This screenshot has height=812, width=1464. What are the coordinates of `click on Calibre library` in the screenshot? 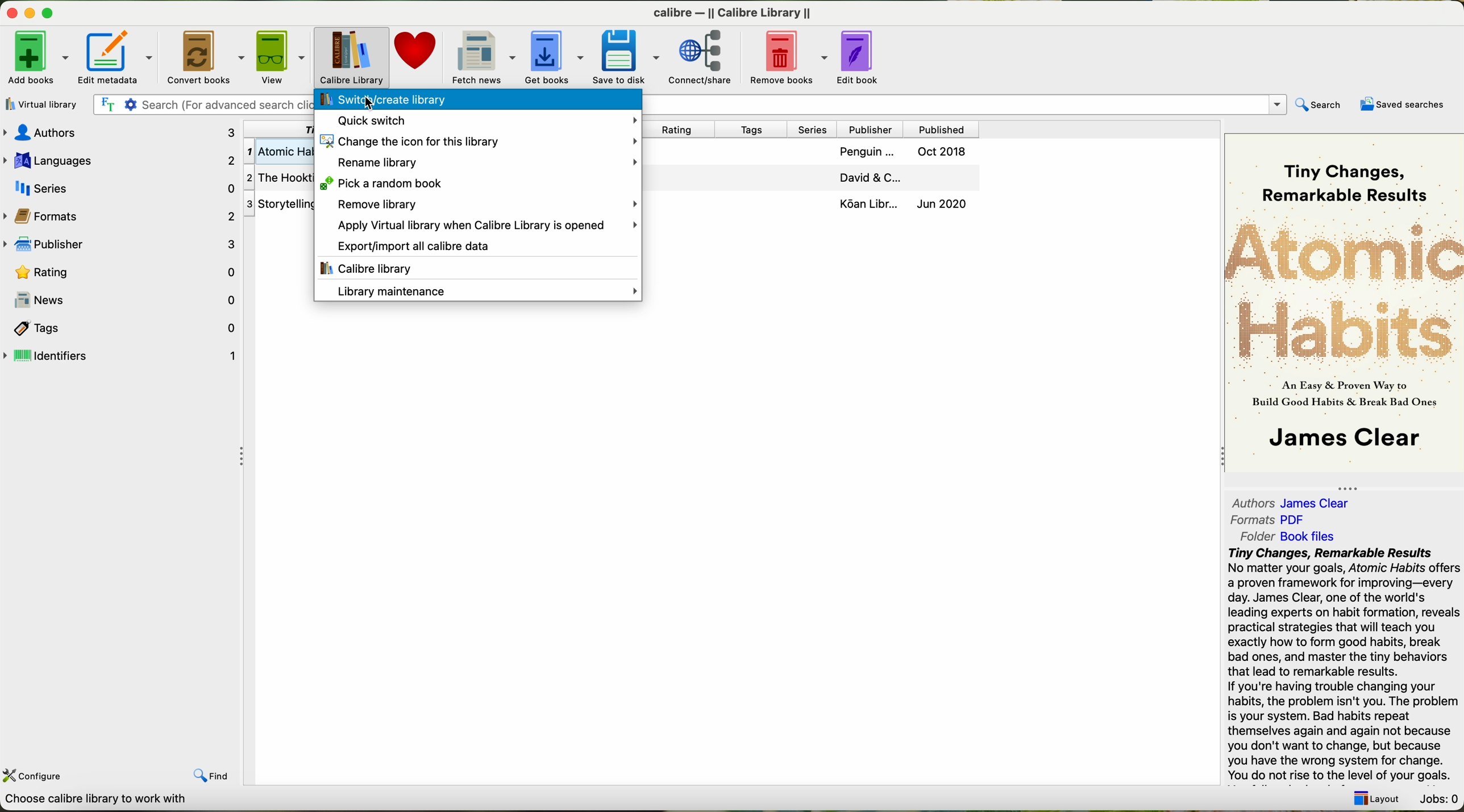 It's located at (353, 57).